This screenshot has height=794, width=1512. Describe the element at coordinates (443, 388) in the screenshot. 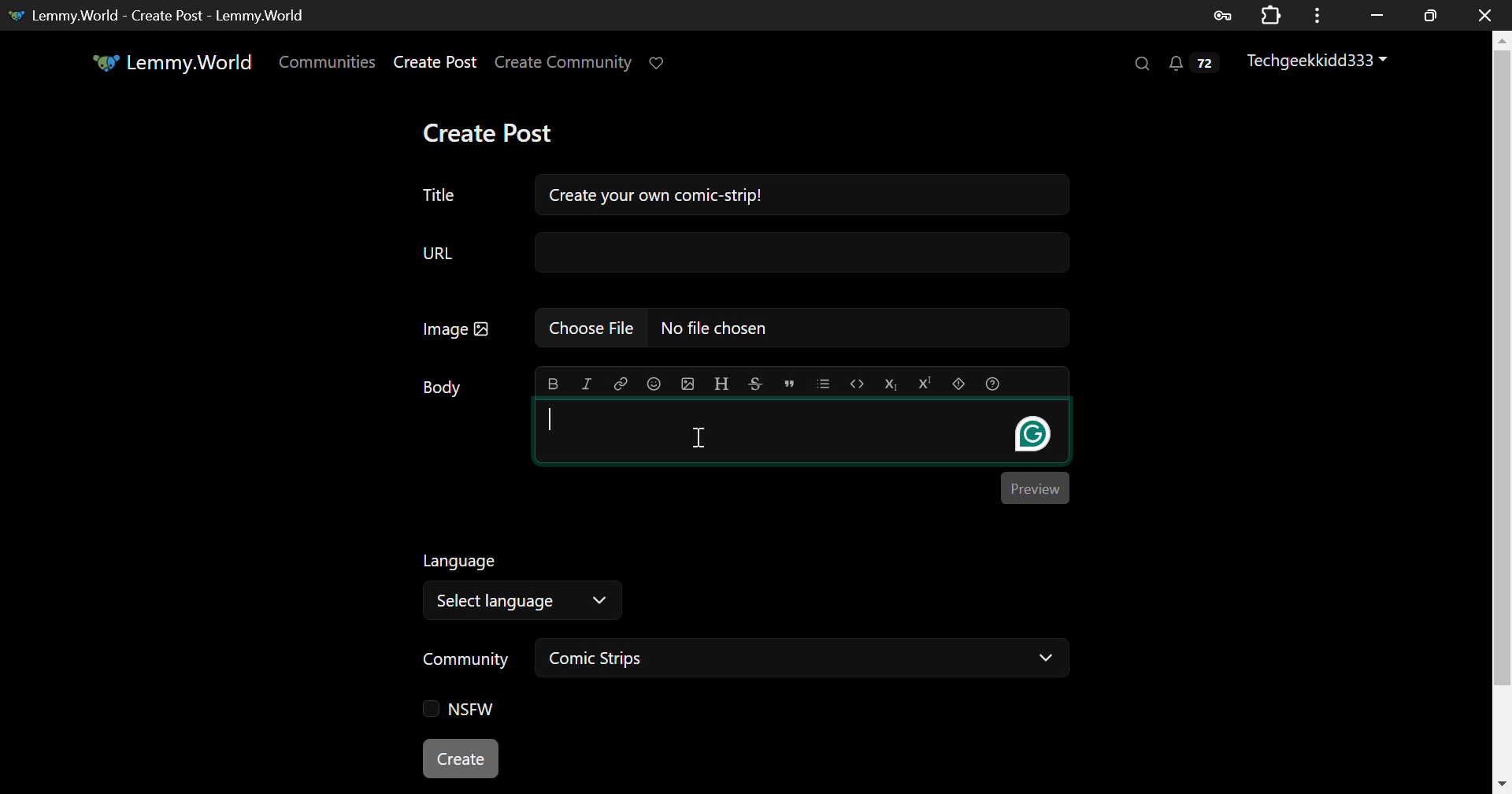

I see `Body` at that location.